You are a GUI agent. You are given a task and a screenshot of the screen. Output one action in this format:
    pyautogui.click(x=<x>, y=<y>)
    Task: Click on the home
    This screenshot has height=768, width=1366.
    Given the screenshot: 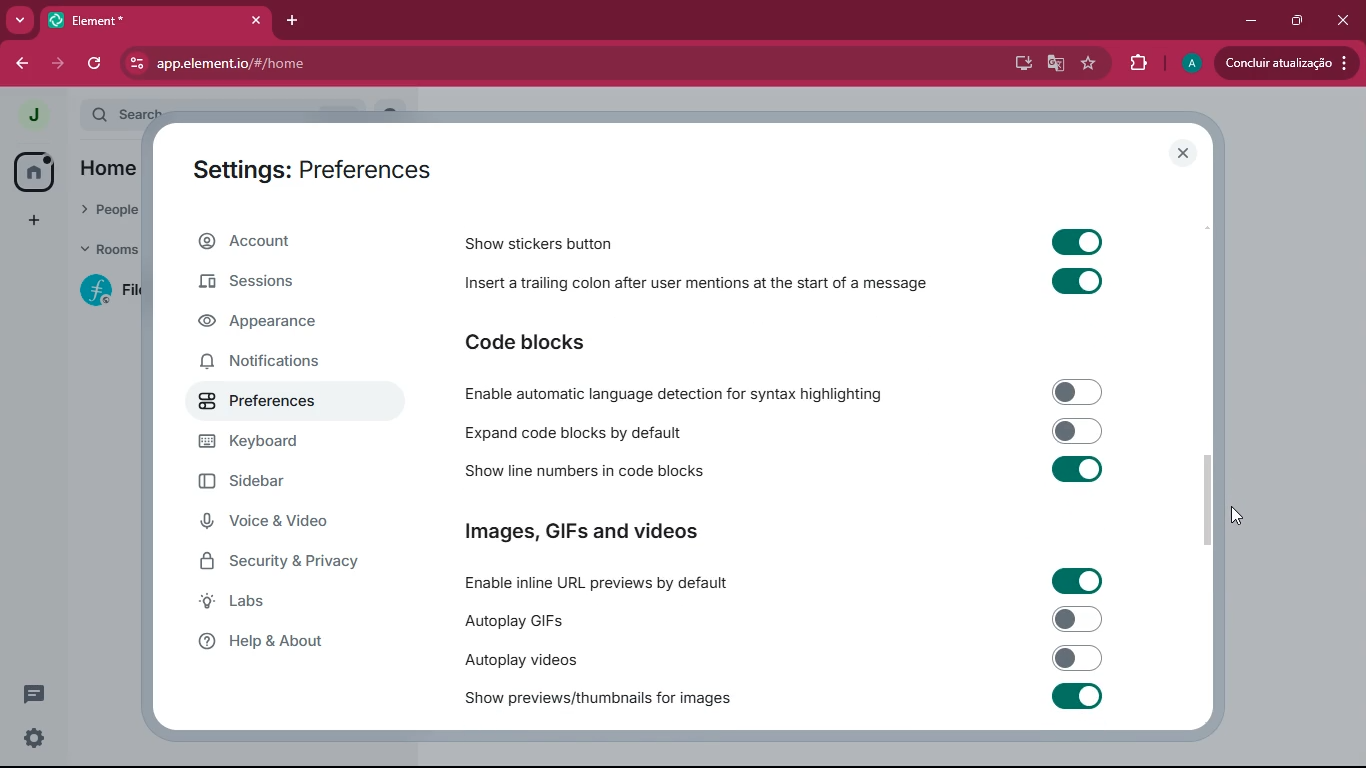 What is the action you would take?
    pyautogui.click(x=107, y=171)
    